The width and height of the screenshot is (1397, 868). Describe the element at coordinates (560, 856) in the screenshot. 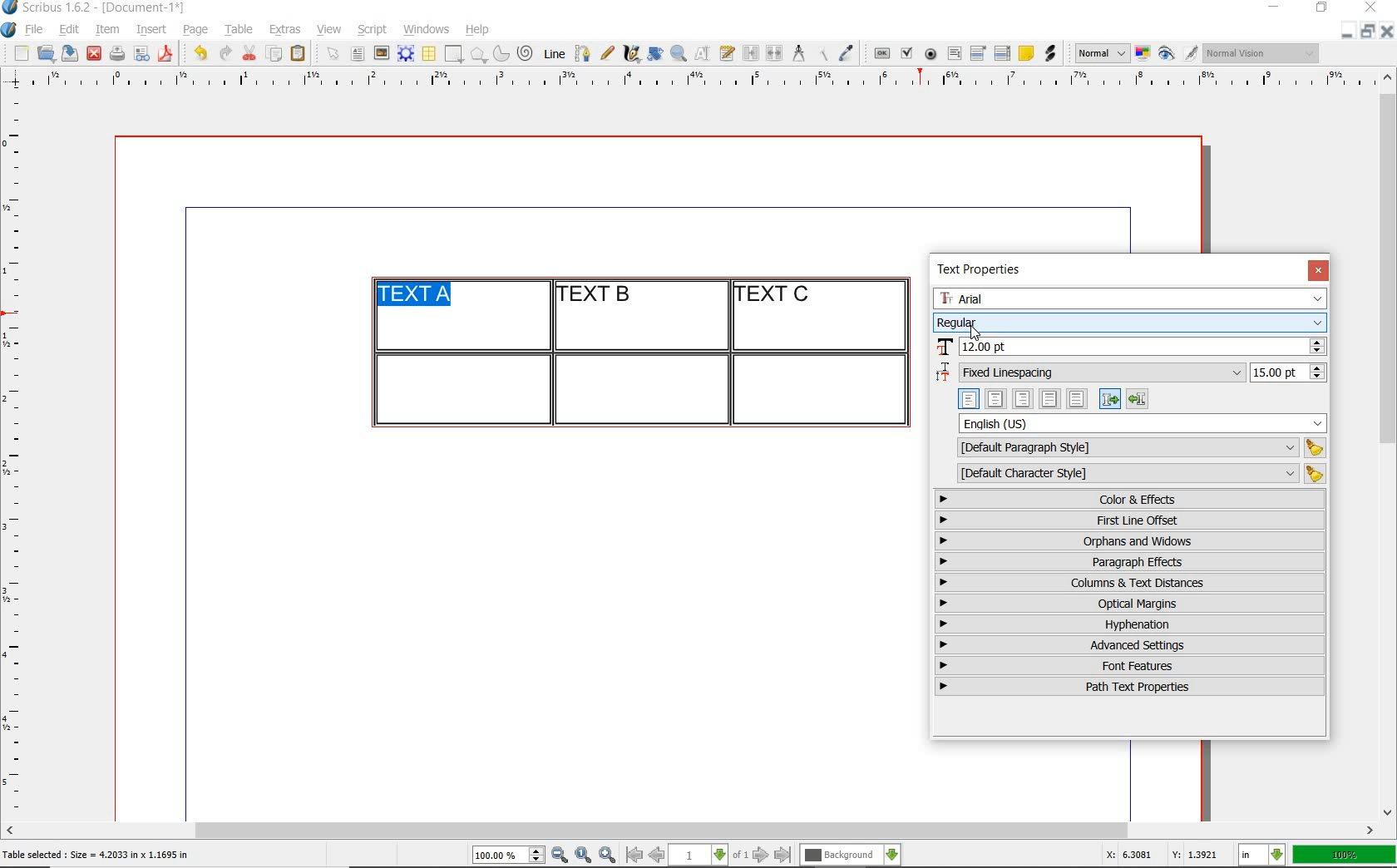

I see `zoom out` at that location.